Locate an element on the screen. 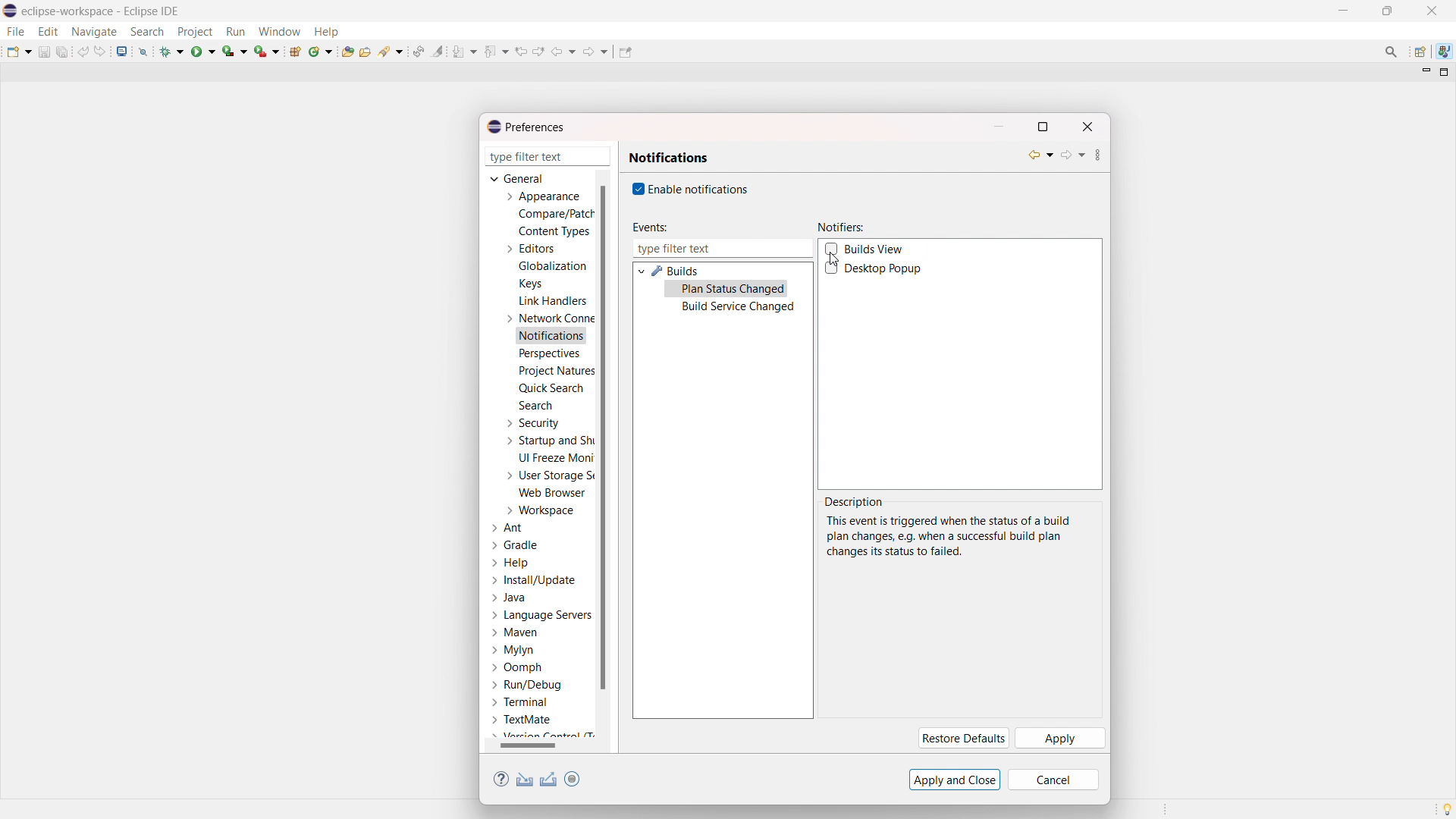 The height and width of the screenshot is (819, 1456). maximize dialogbox is located at coordinates (1042, 127).